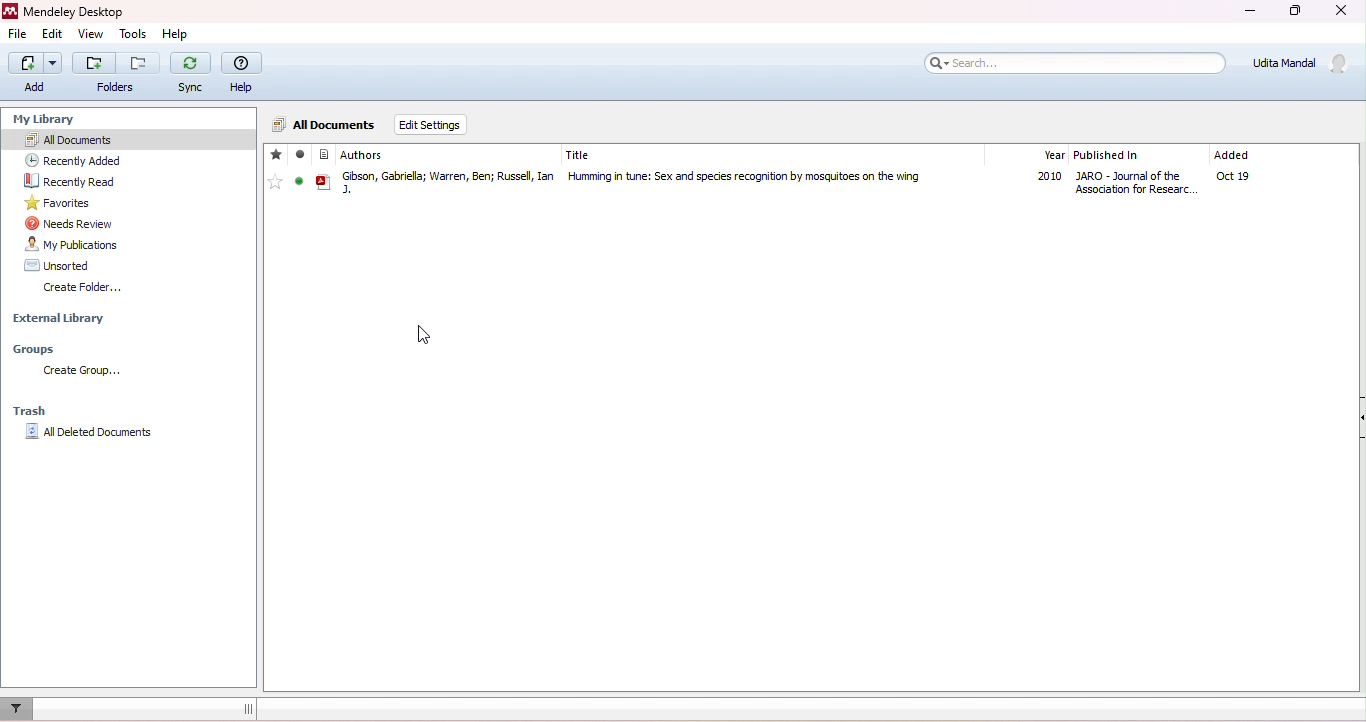  Describe the element at coordinates (748, 183) in the screenshot. I see `Humming in Tune: Sex and Species Recognition by Mosquitoes on the Wing` at that location.